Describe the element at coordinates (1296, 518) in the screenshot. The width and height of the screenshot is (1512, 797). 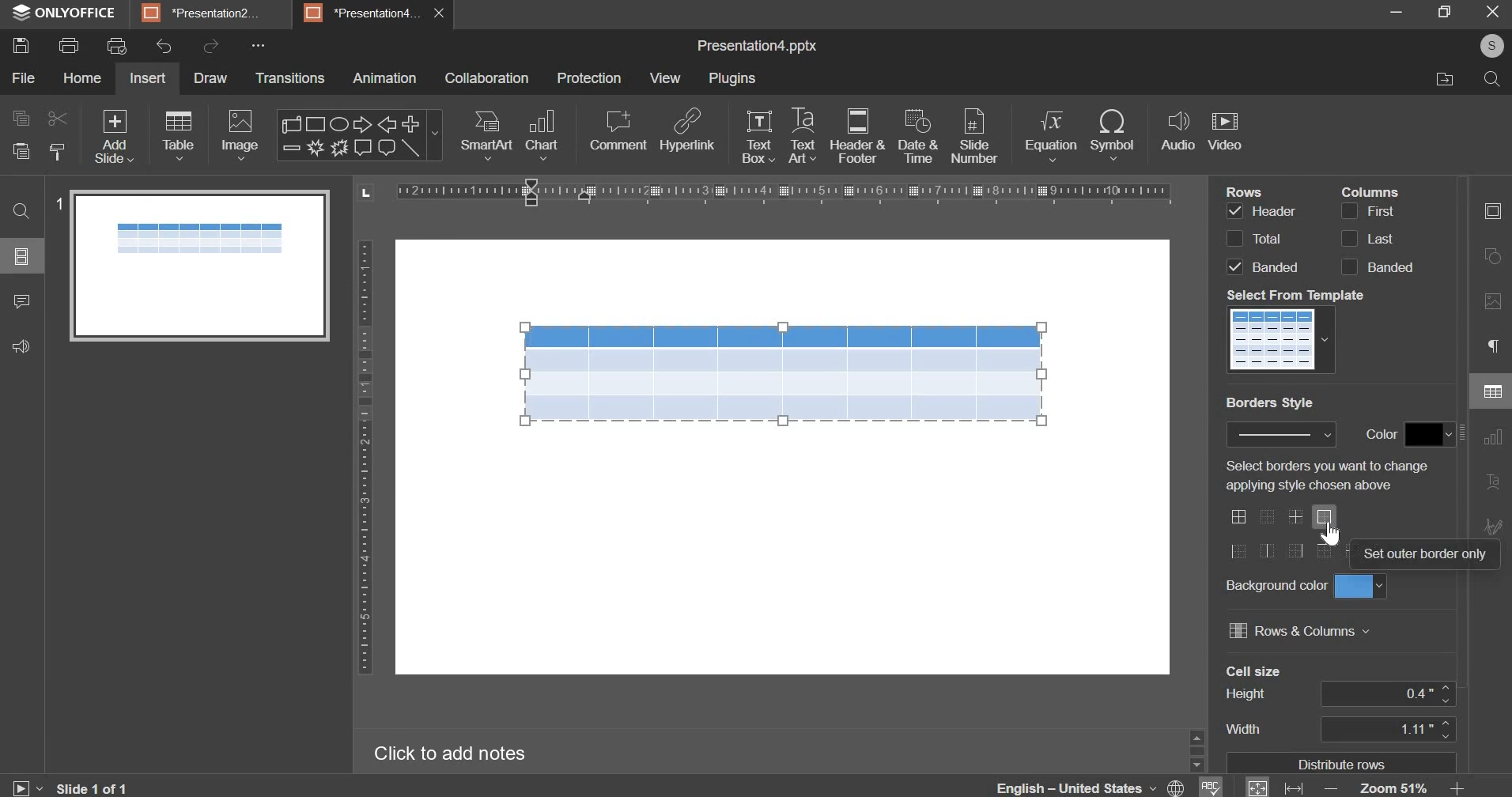
I see `add border` at that location.